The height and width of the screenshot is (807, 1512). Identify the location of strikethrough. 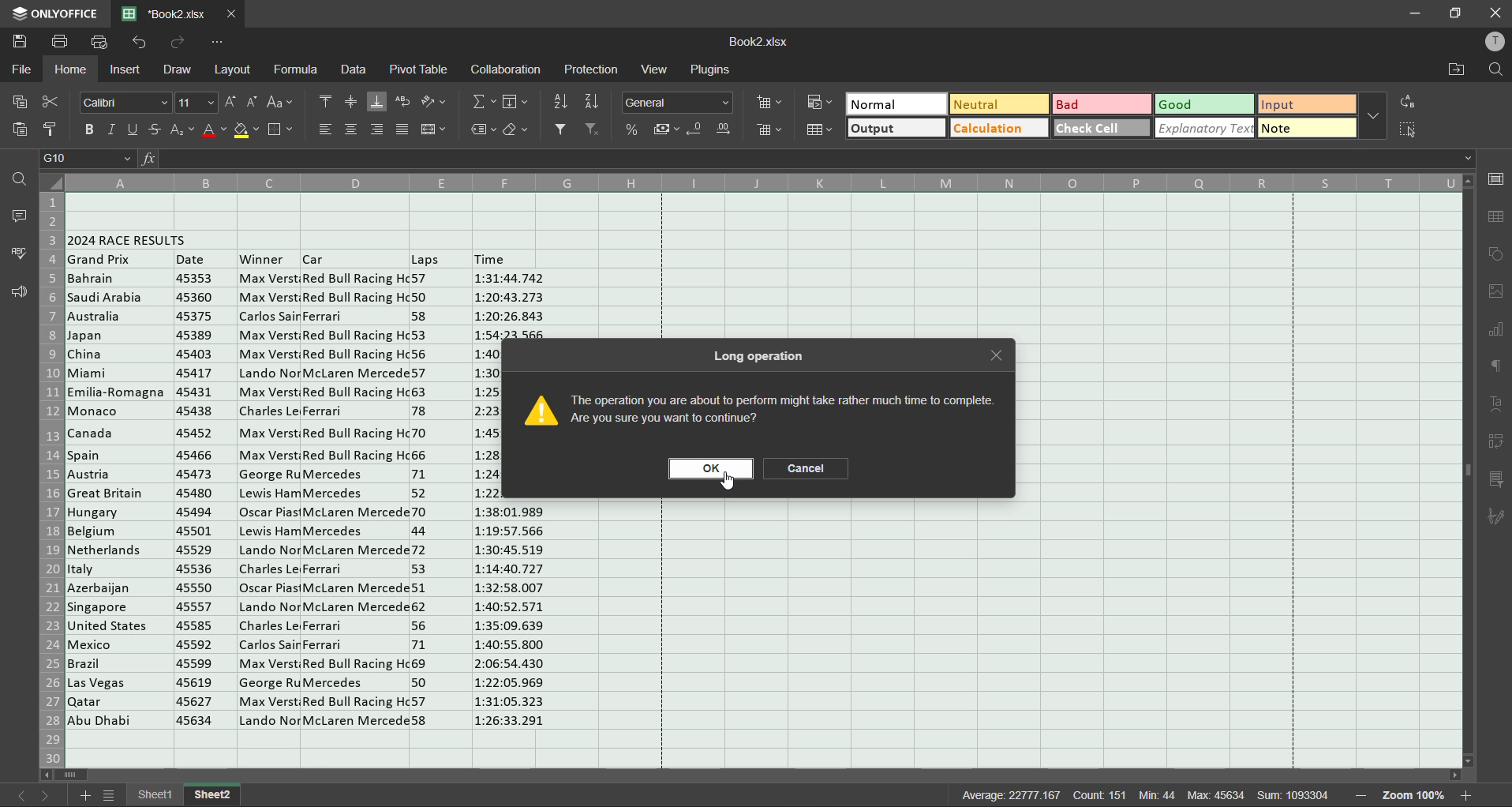
(158, 133).